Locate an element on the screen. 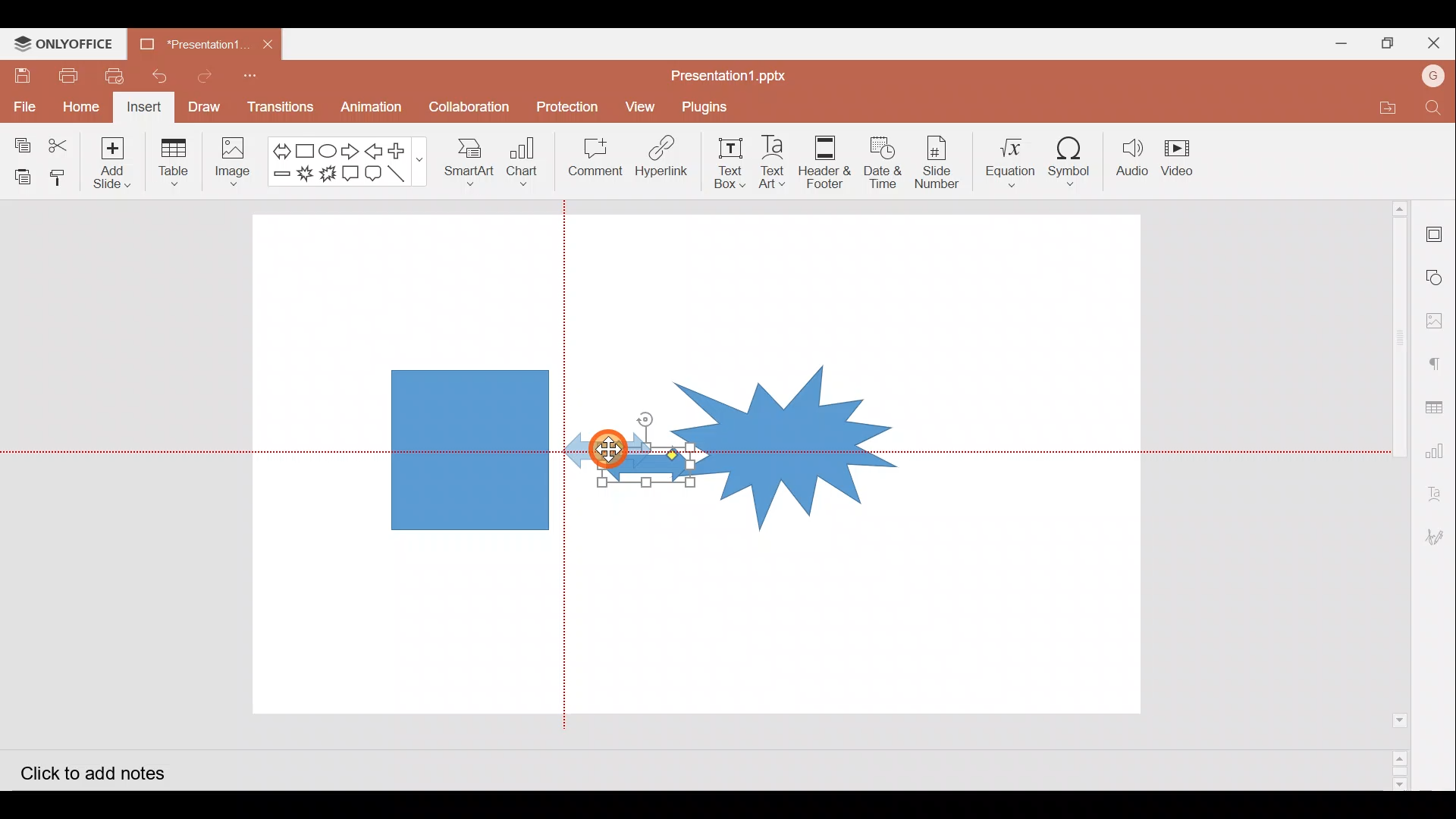 The image size is (1456, 819). Line is located at coordinates (401, 172).